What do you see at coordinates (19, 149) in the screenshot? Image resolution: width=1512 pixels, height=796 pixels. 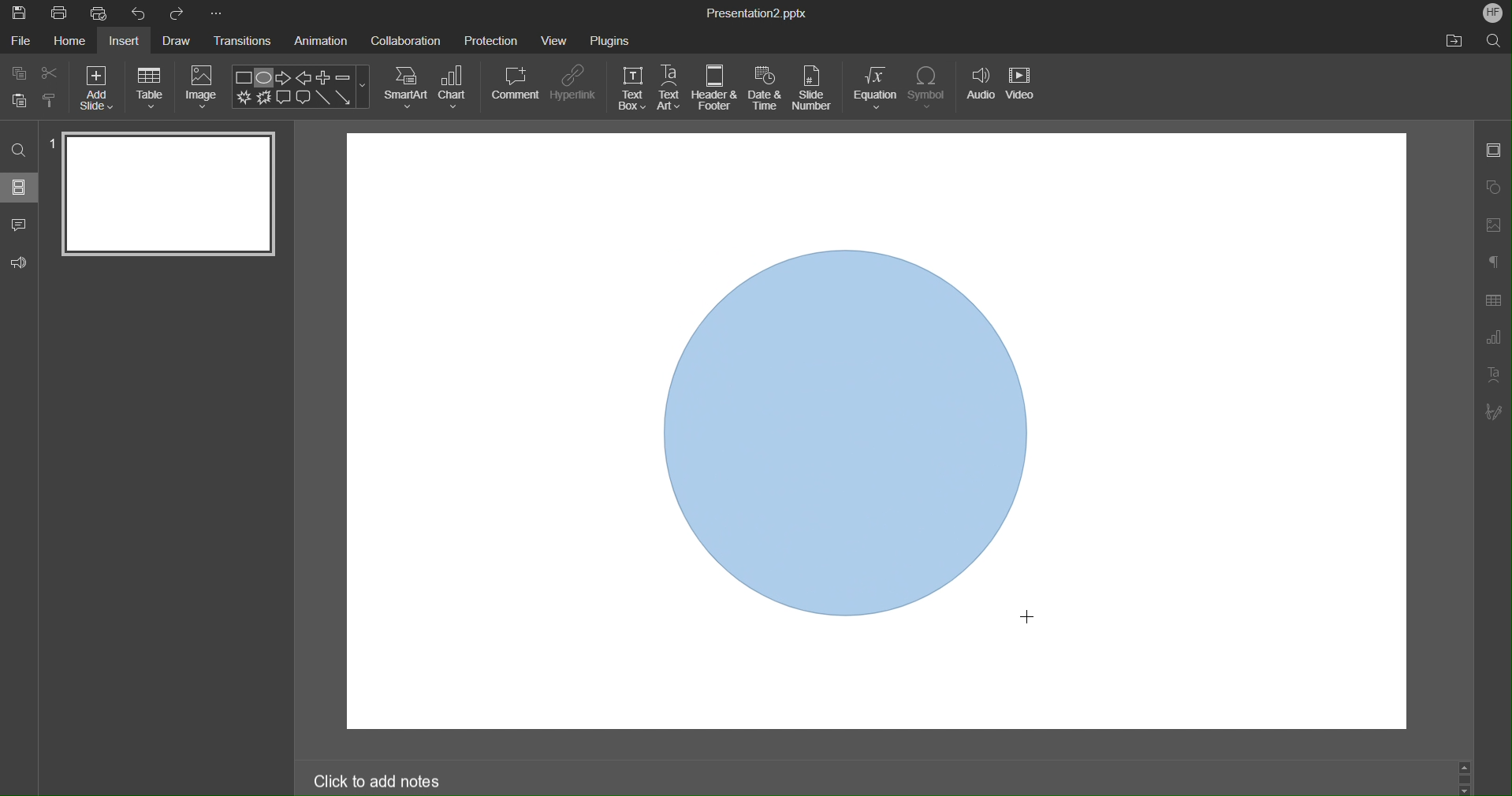 I see `Search` at bounding box center [19, 149].